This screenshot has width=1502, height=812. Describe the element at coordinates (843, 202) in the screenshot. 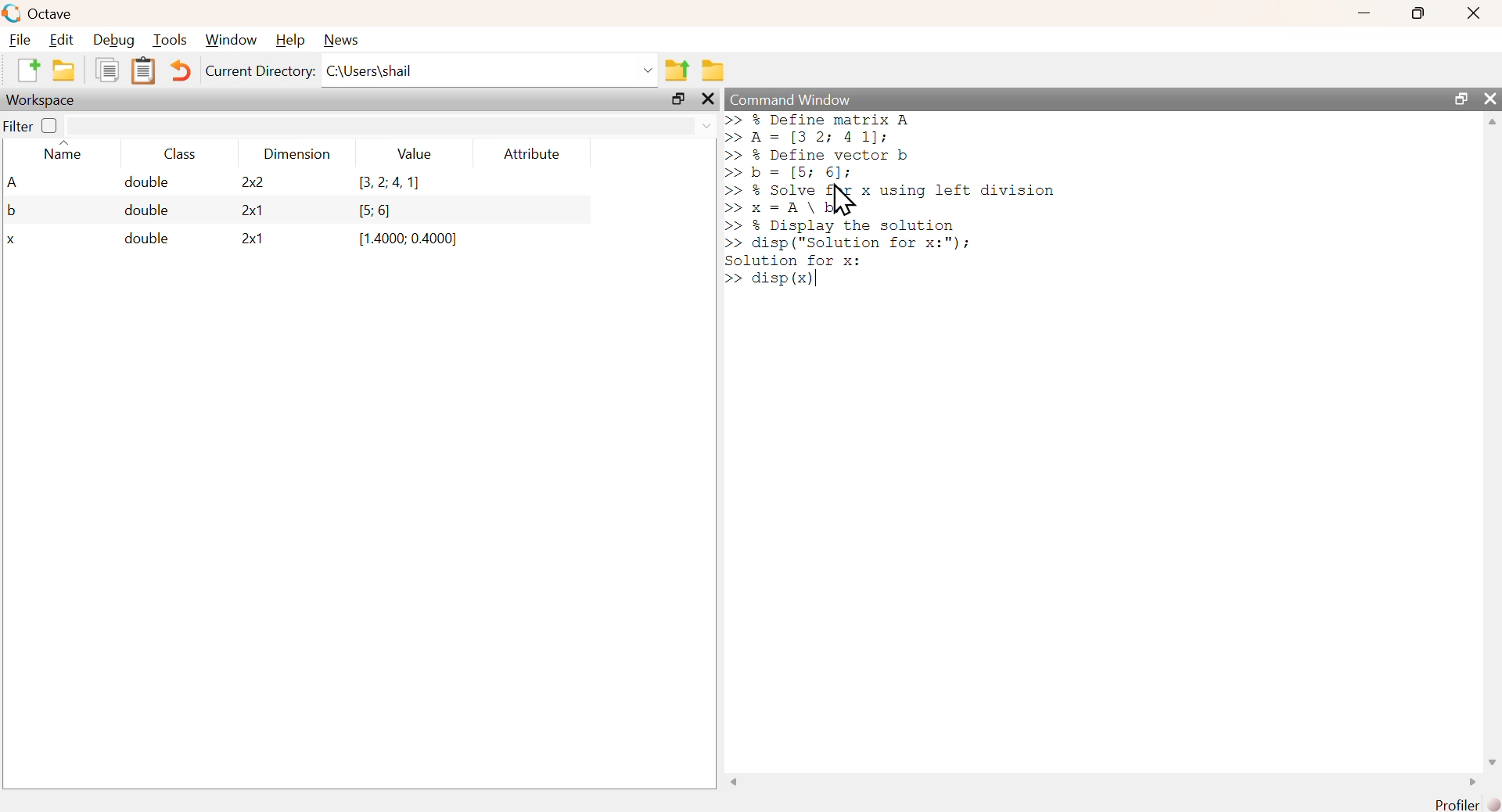

I see `cursor` at that location.